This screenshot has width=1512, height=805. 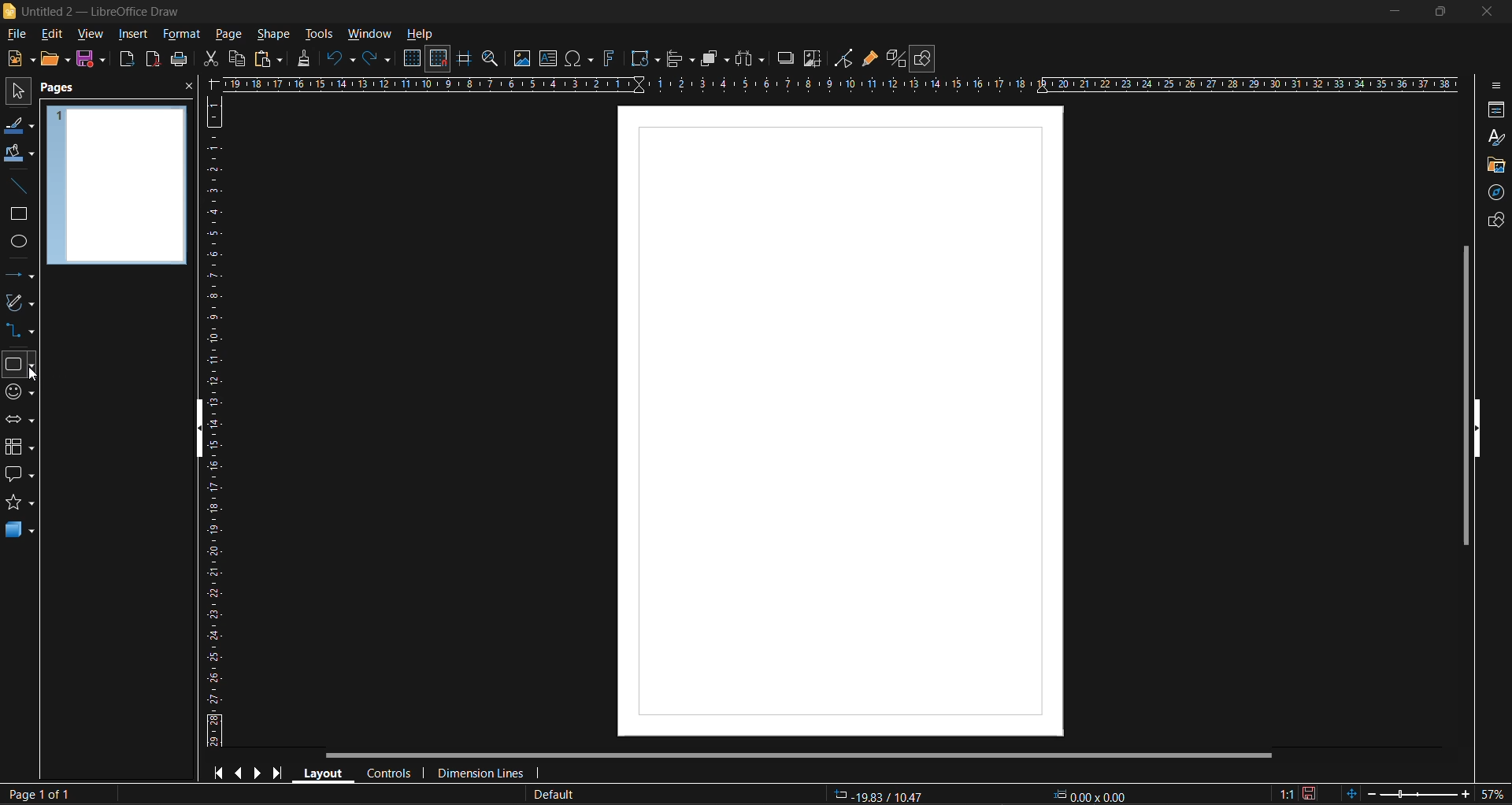 I want to click on horizontal scale, so click(x=839, y=84).